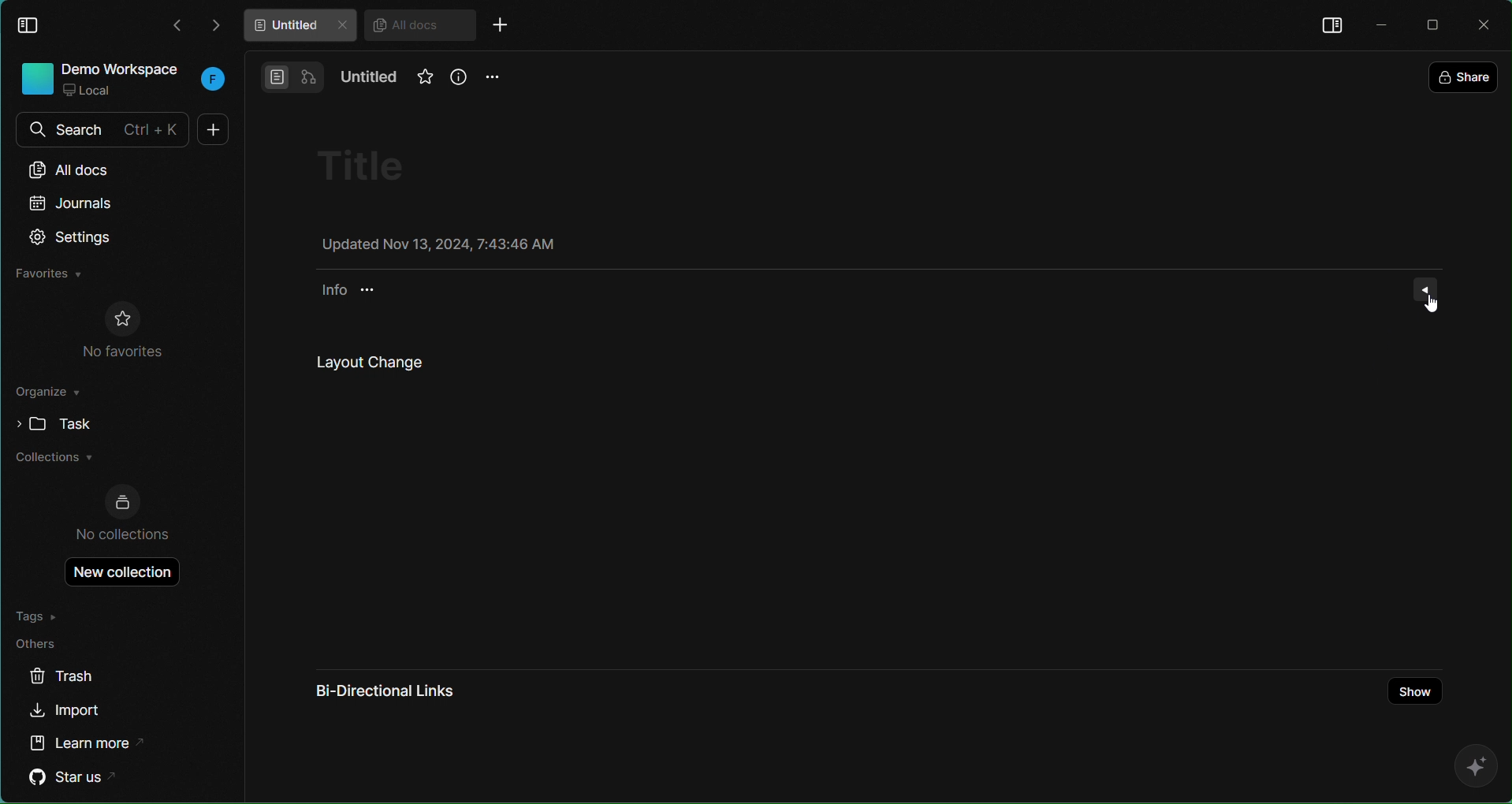 This screenshot has height=804, width=1512. I want to click on new collection , so click(115, 572).